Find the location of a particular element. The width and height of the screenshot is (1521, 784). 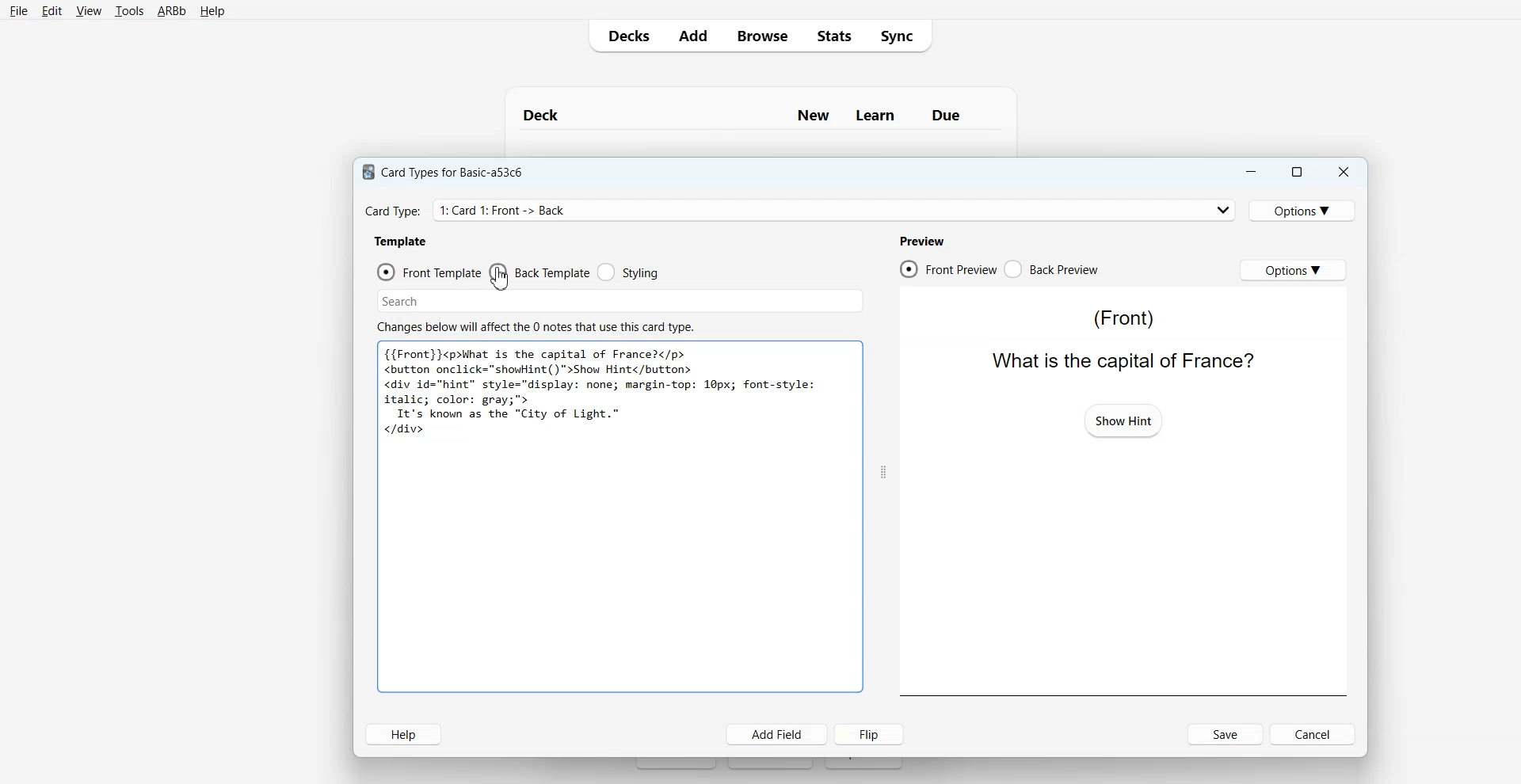

Save is located at coordinates (1226, 734).